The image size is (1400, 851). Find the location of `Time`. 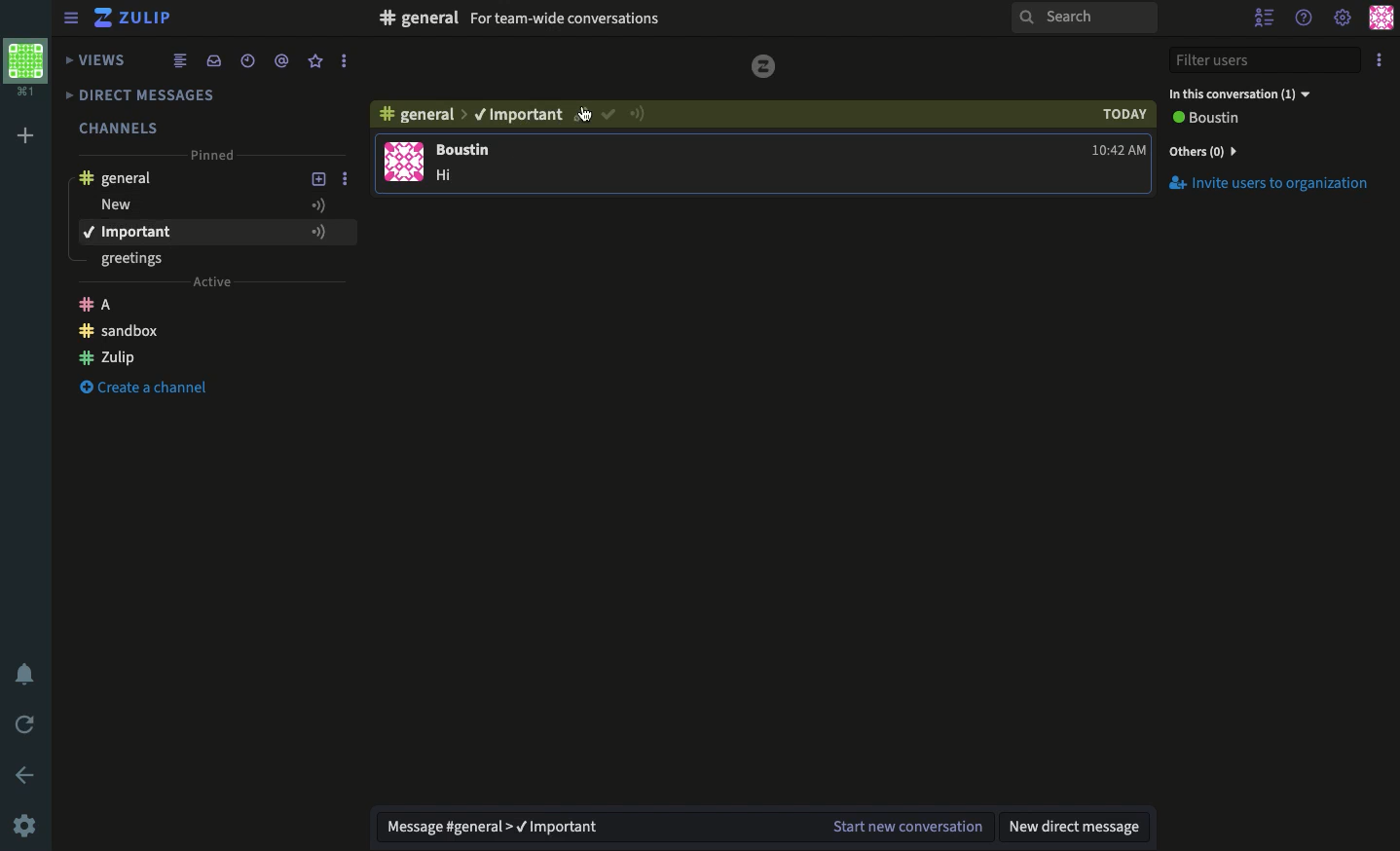

Time is located at coordinates (250, 59).